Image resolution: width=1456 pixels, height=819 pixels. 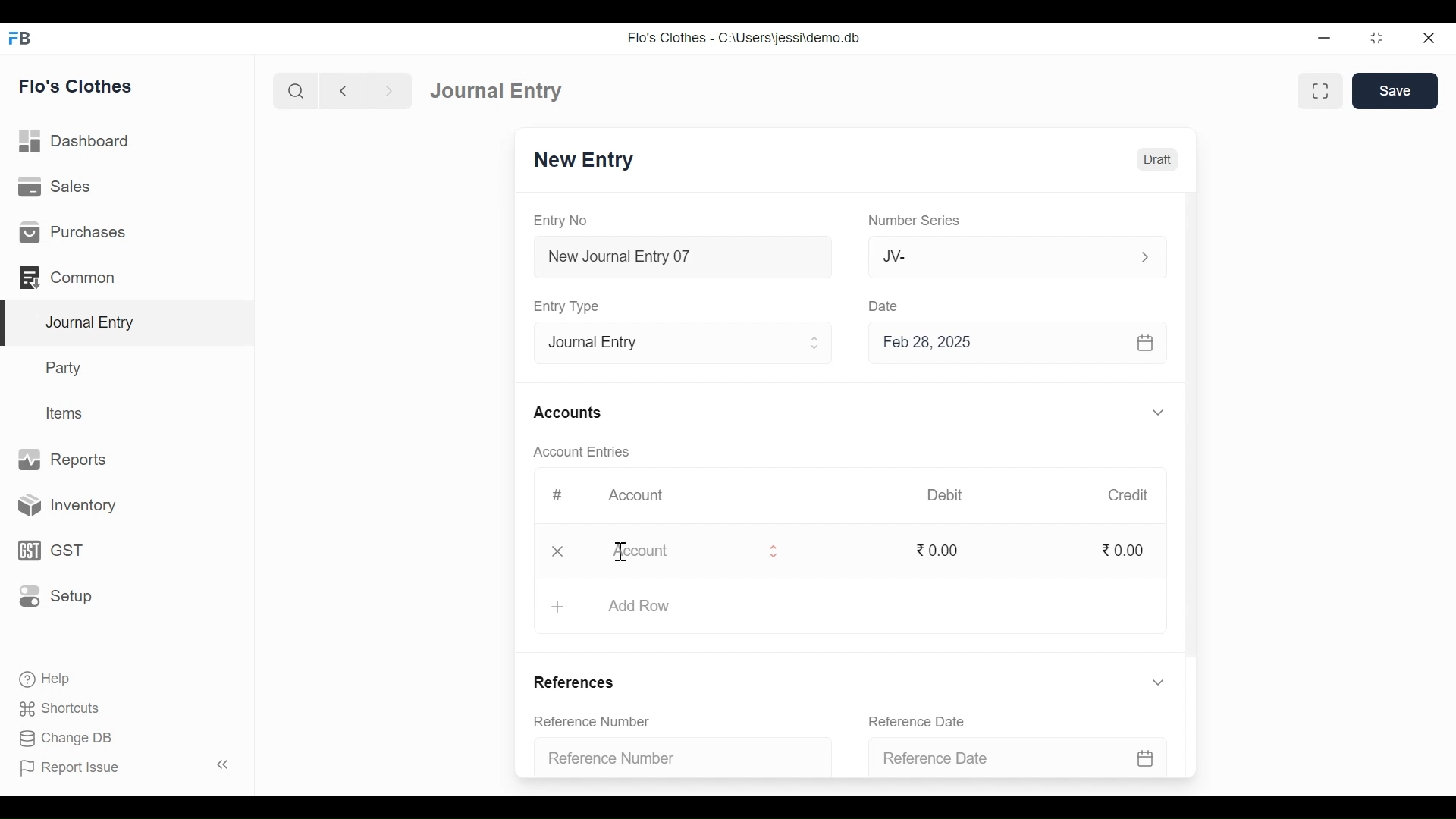 What do you see at coordinates (70, 277) in the screenshot?
I see `Common` at bounding box center [70, 277].